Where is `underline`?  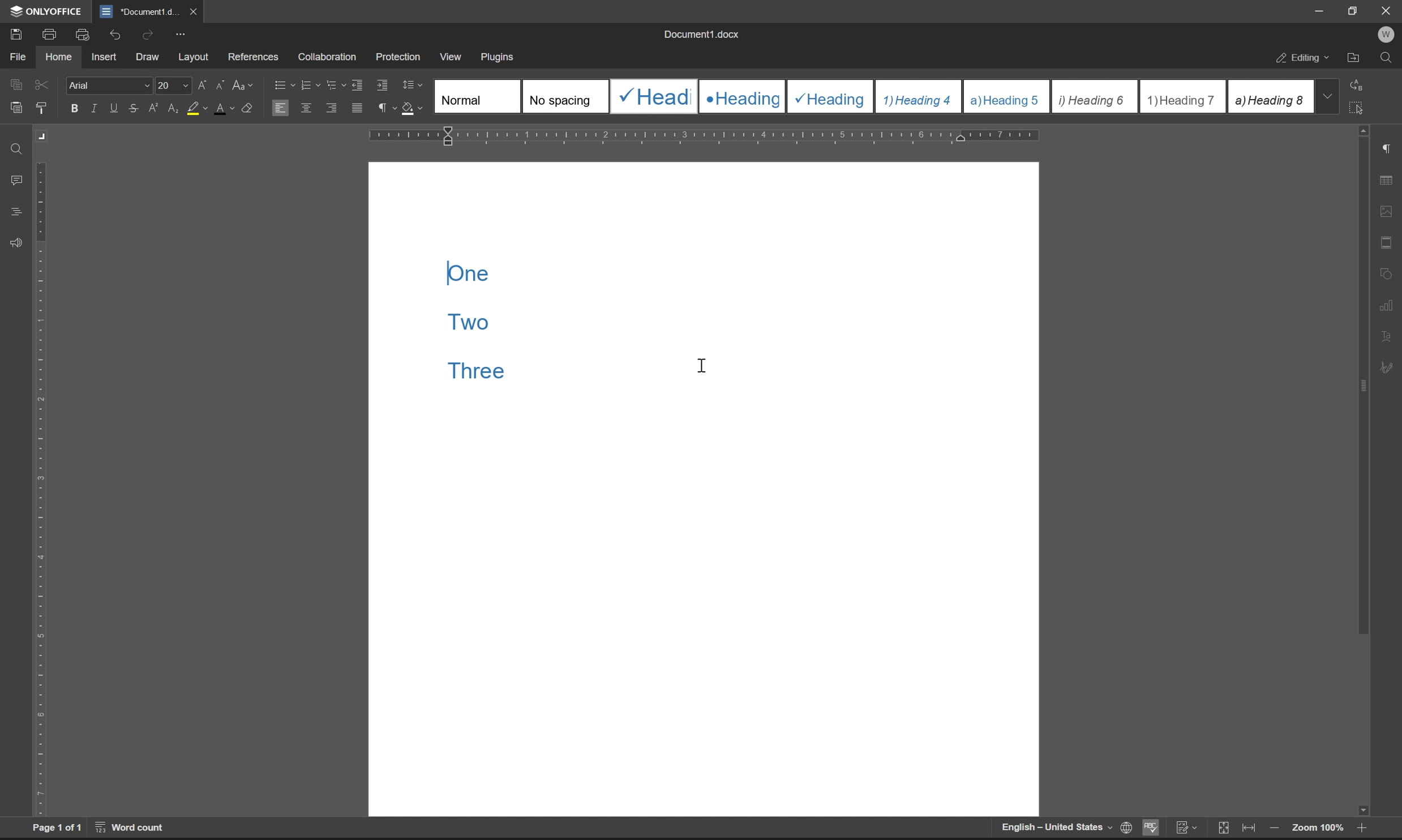
underline is located at coordinates (115, 108).